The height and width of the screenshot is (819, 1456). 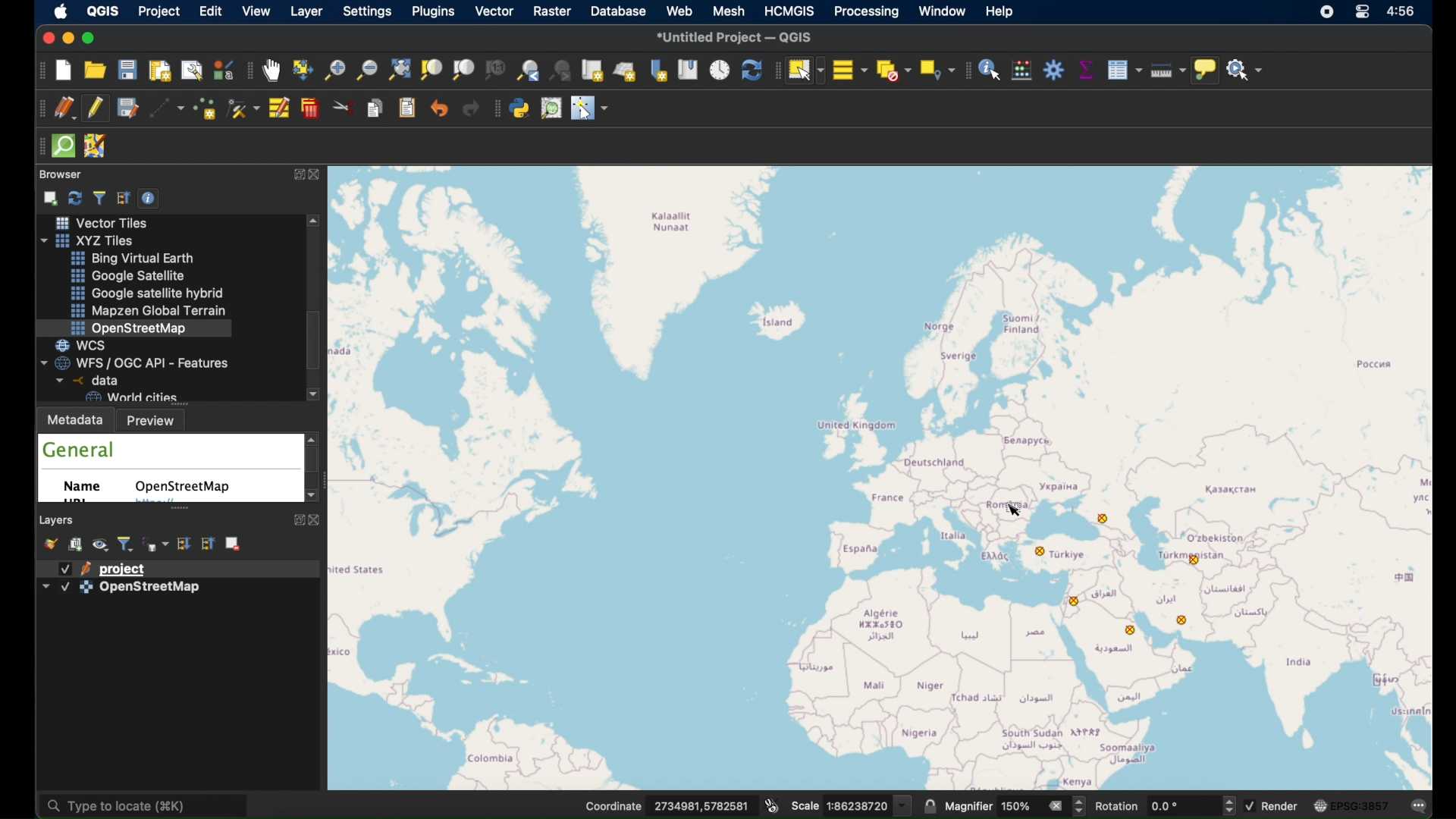 What do you see at coordinates (128, 70) in the screenshot?
I see `save project` at bounding box center [128, 70].